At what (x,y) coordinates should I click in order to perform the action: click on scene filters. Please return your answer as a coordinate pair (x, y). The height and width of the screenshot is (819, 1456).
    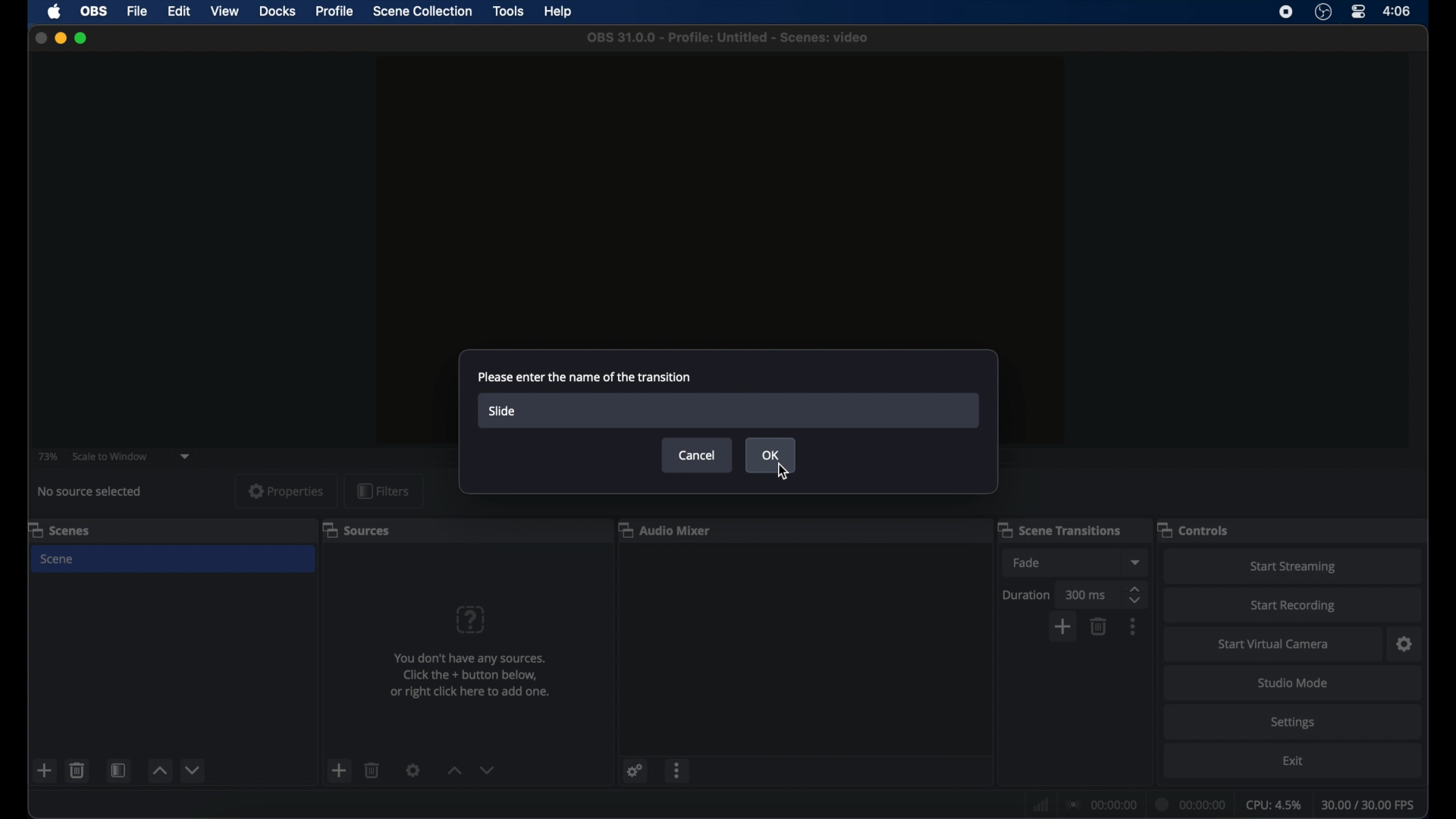
    Looking at the image, I should click on (119, 770).